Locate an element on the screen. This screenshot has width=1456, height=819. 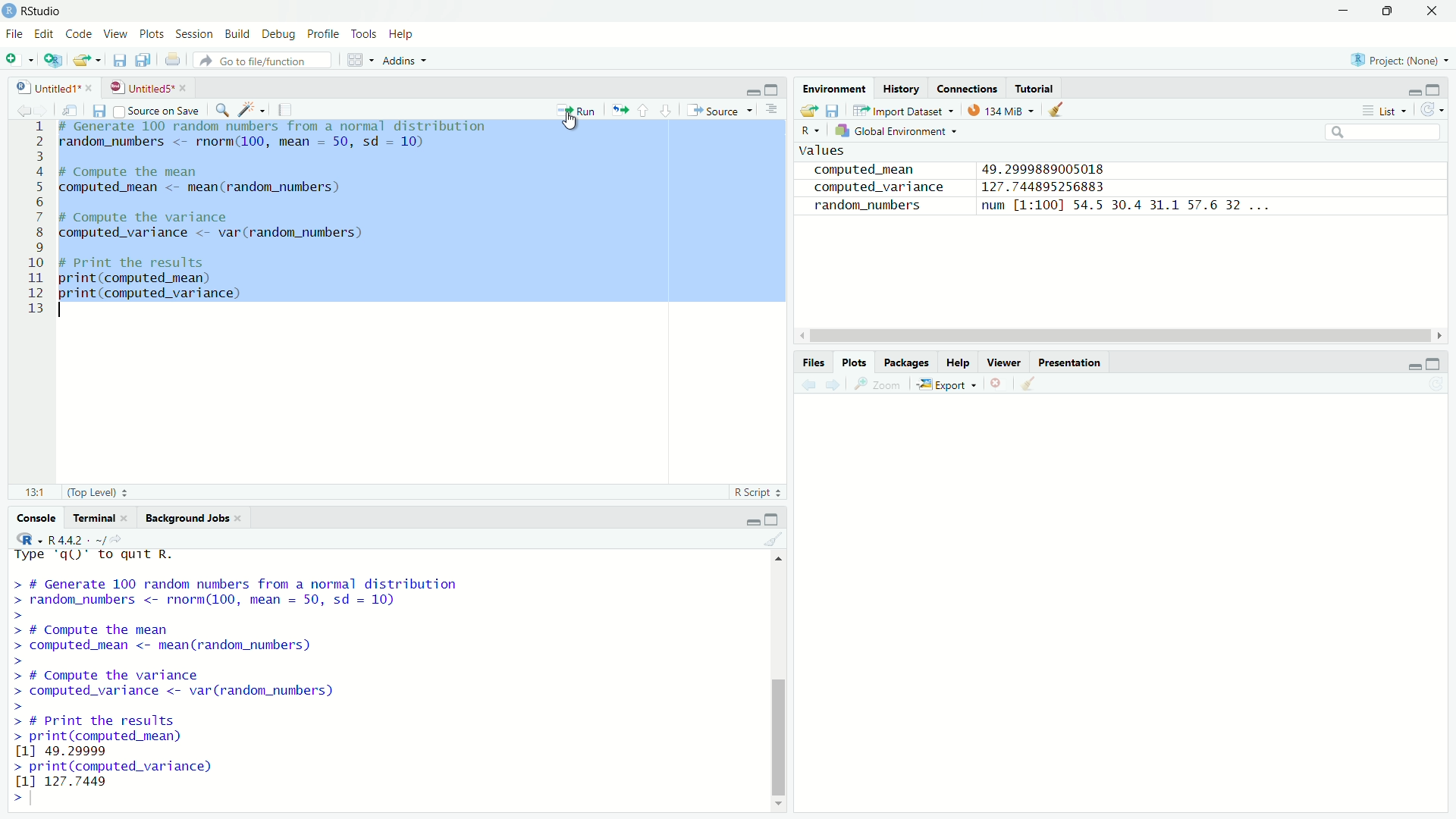
new file is located at coordinates (18, 58).